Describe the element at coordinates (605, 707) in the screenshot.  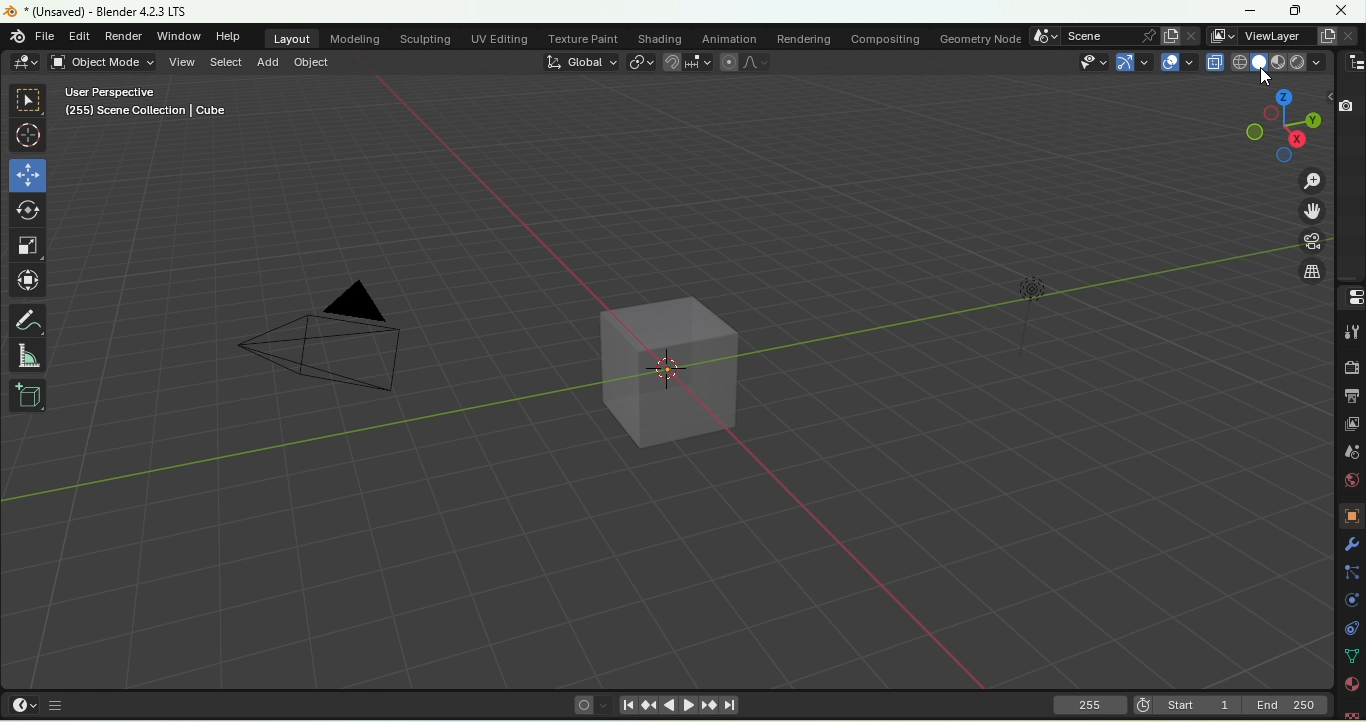
I see `Auto keyframing` at that location.